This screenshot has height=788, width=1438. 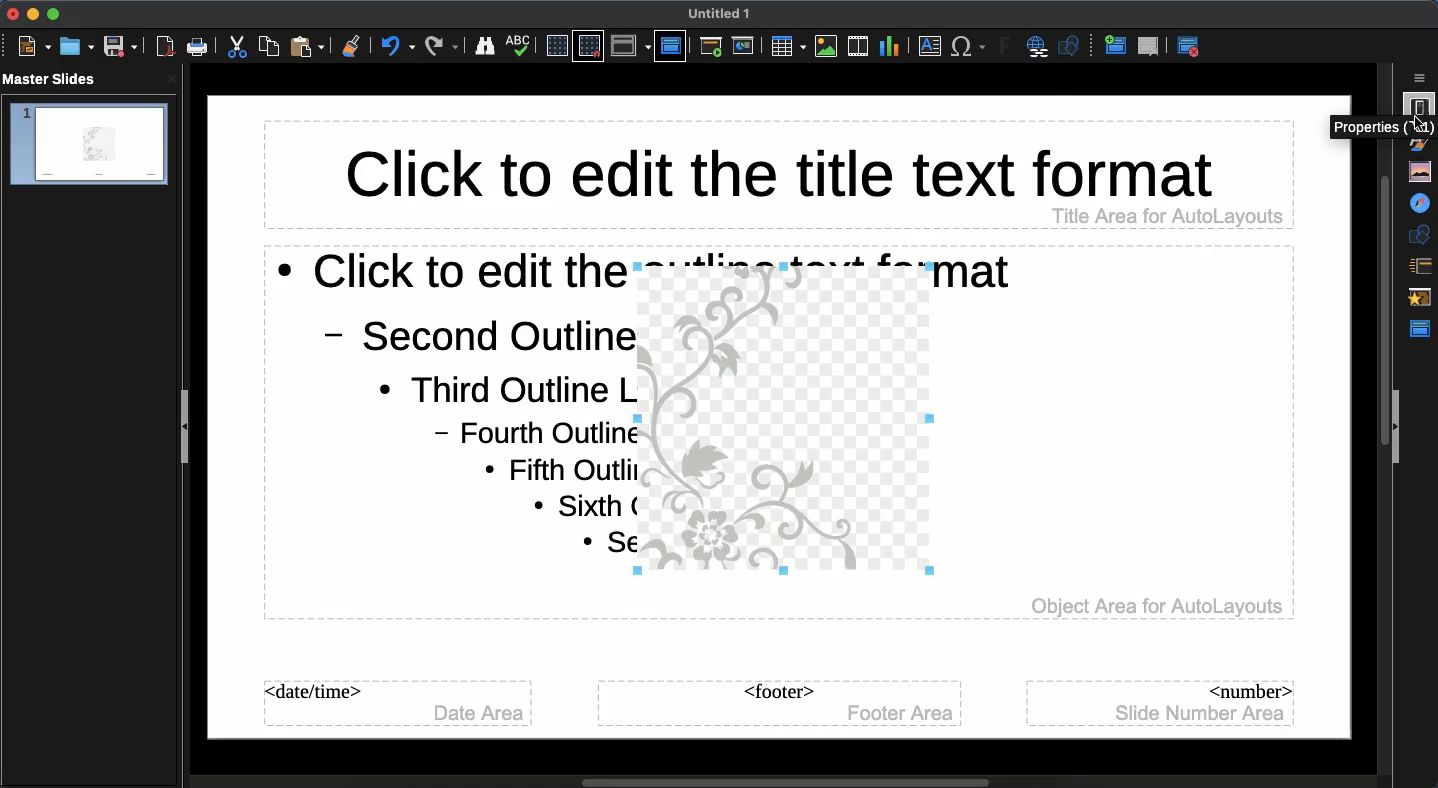 What do you see at coordinates (1113, 47) in the screenshot?
I see `New master` at bounding box center [1113, 47].